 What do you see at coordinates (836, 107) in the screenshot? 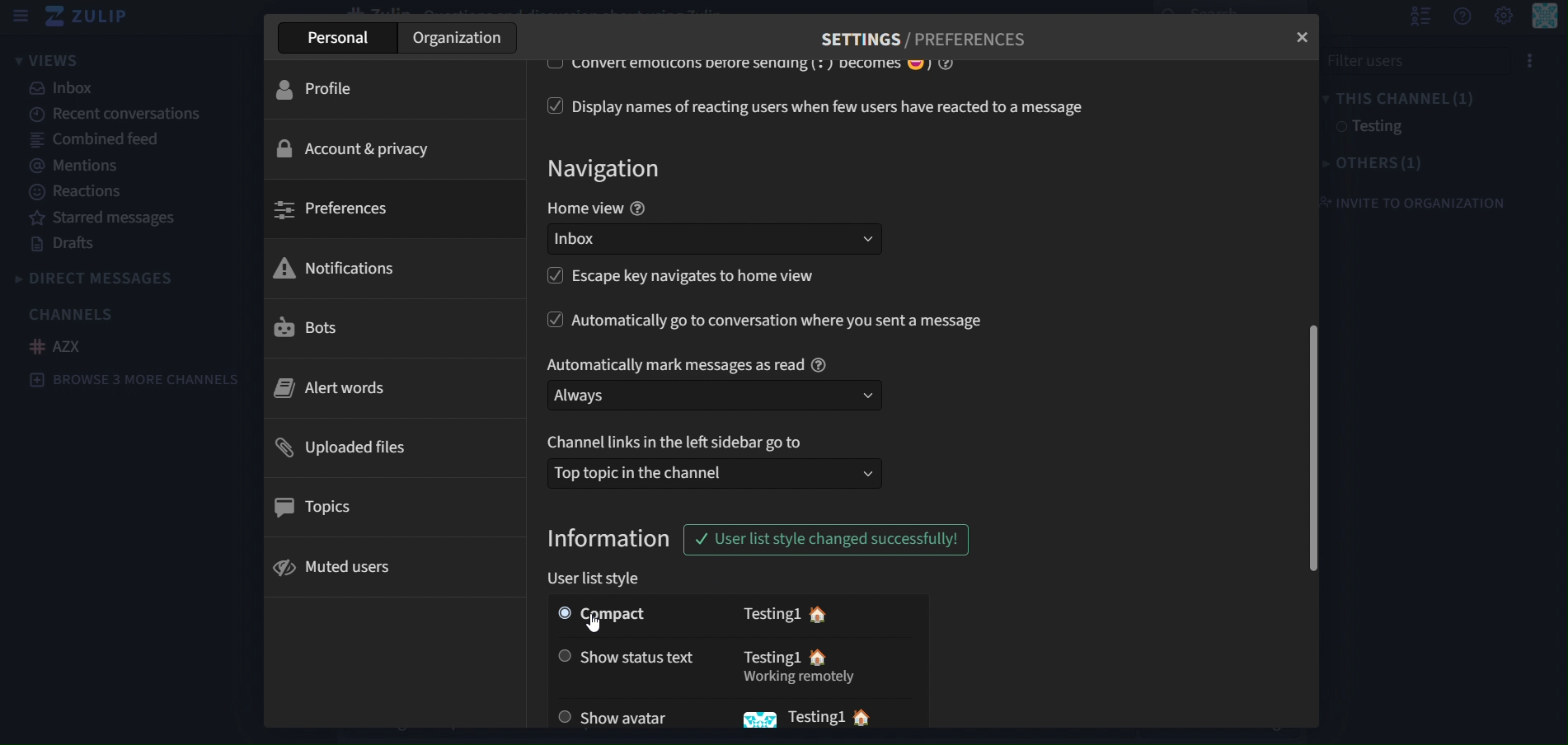
I see `Display names of reacting users when few users have reacted to a message` at bounding box center [836, 107].